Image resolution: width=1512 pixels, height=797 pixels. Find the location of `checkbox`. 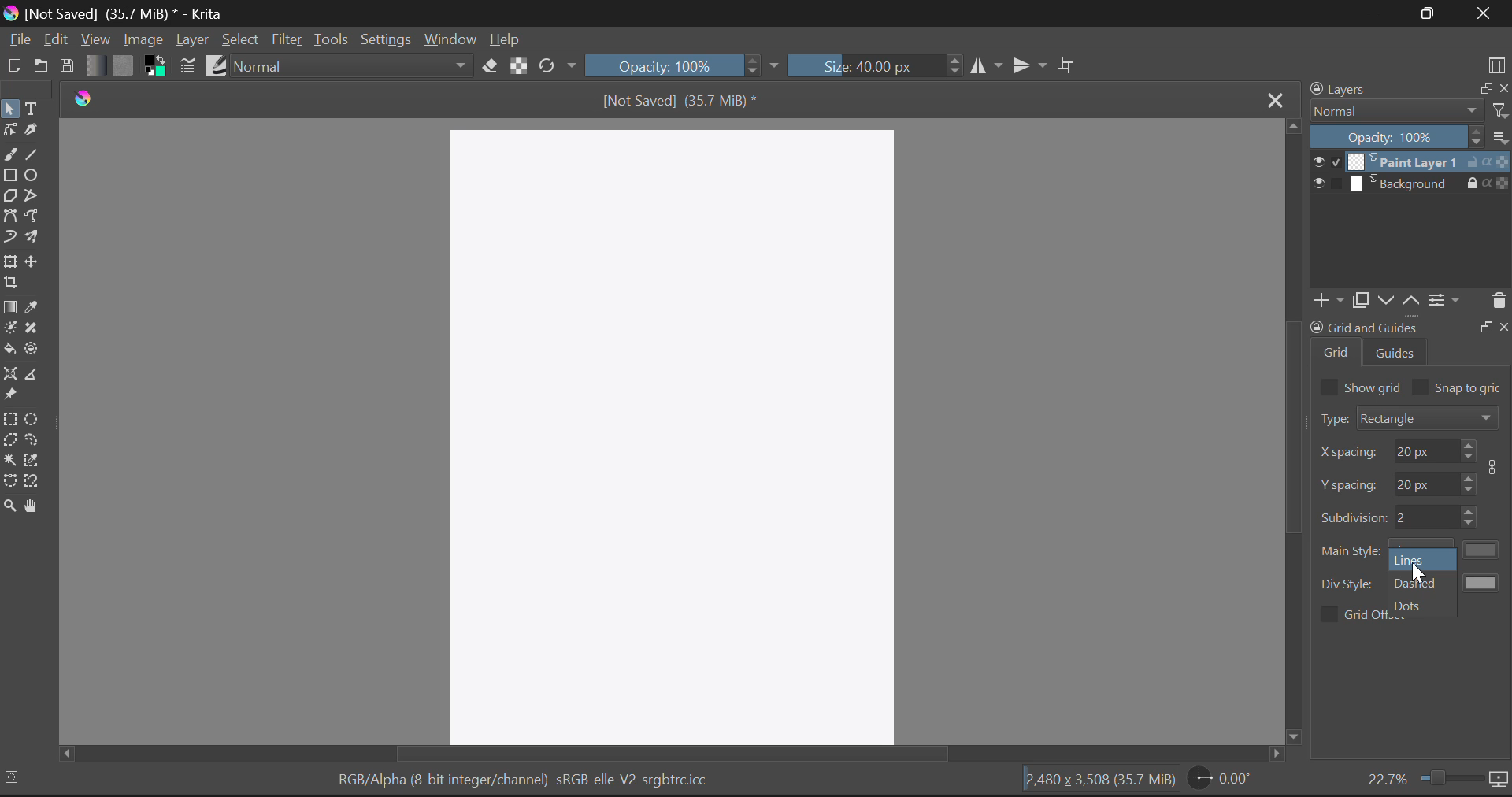

checkbox is located at coordinates (1421, 387).